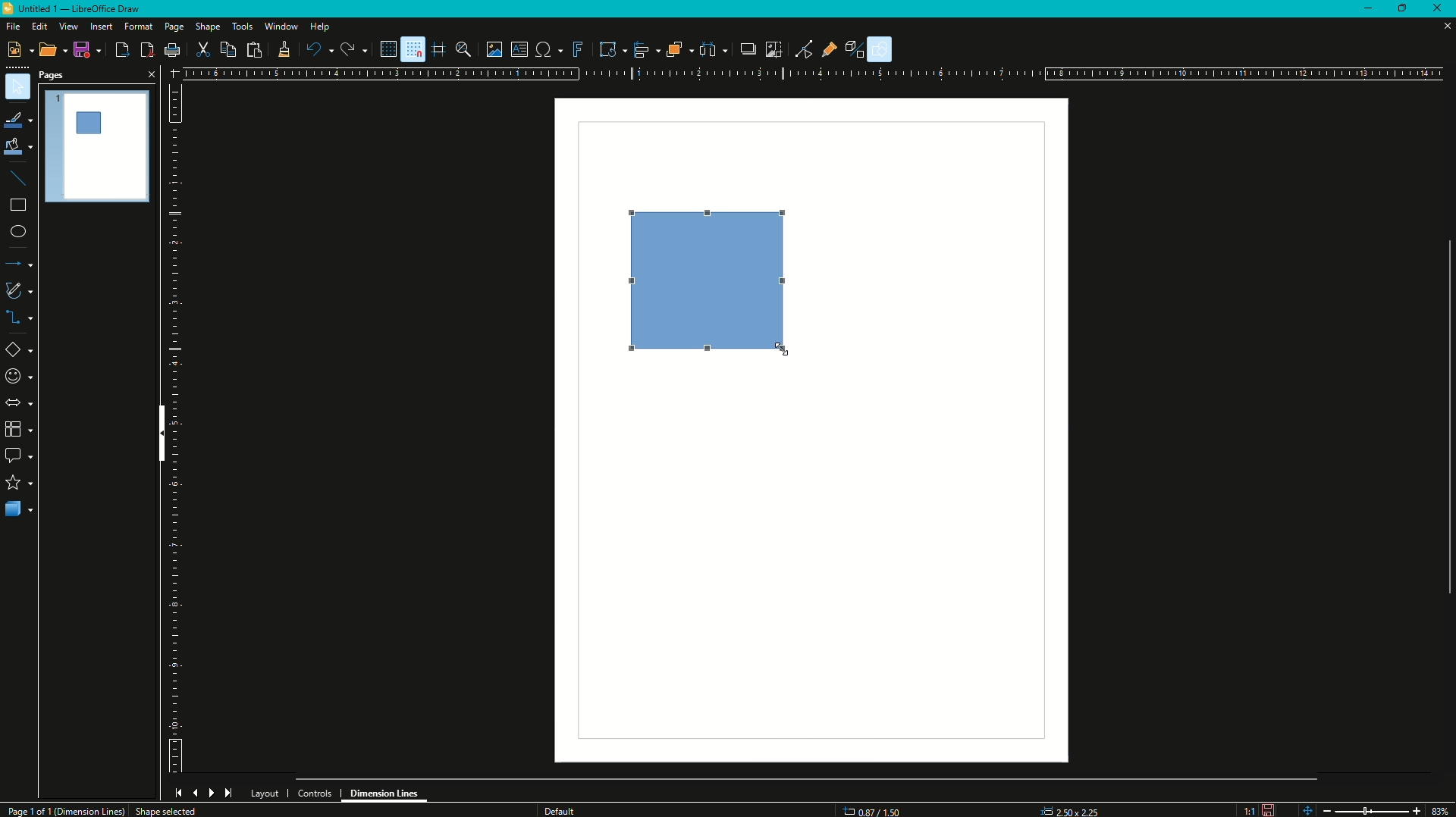  Describe the element at coordinates (19, 511) in the screenshot. I see `3D Objects` at that location.